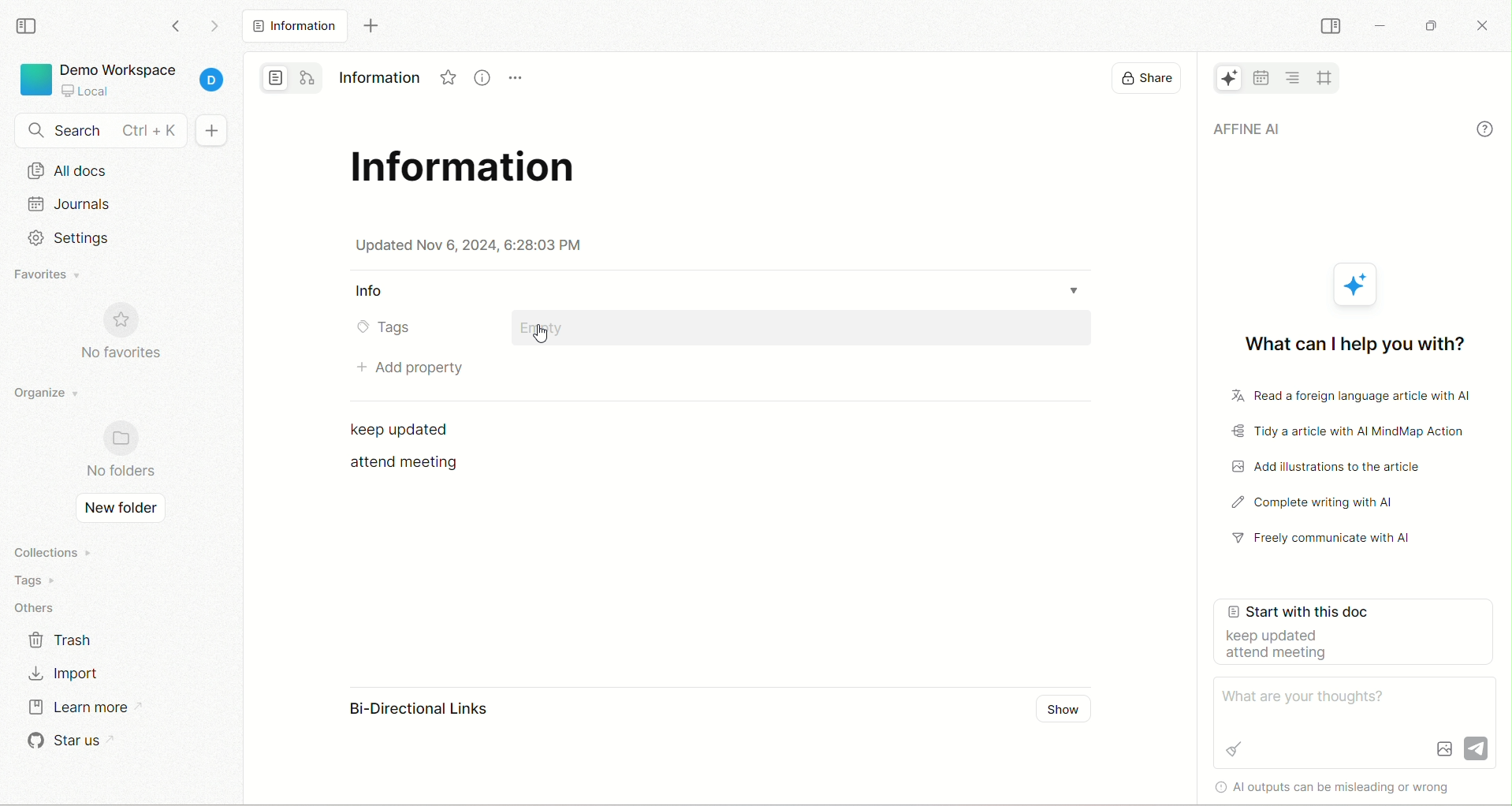  Describe the element at coordinates (1146, 80) in the screenshot. I see `display` at that location.